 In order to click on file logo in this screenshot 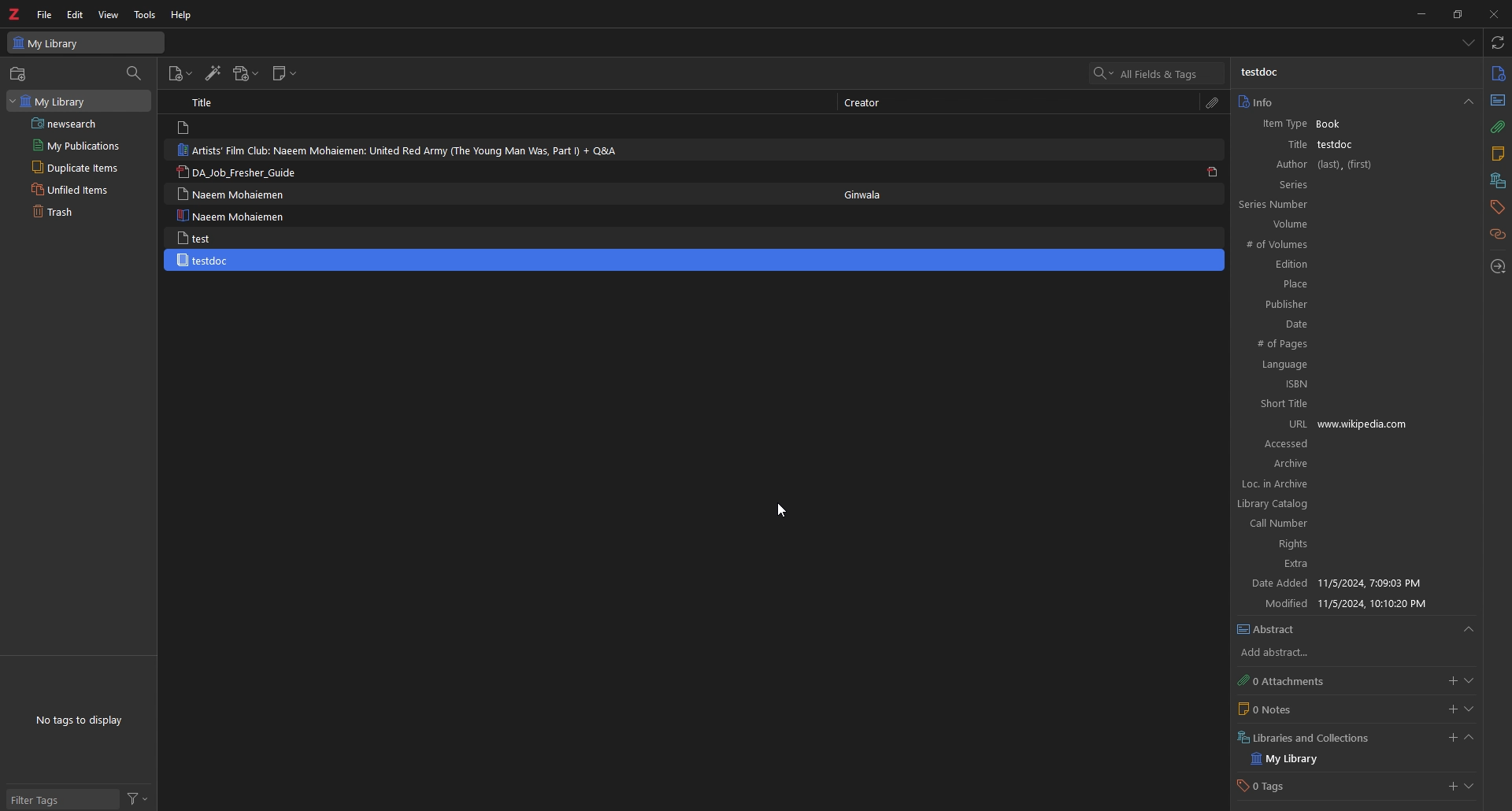, I will do `click(185, 128)`.